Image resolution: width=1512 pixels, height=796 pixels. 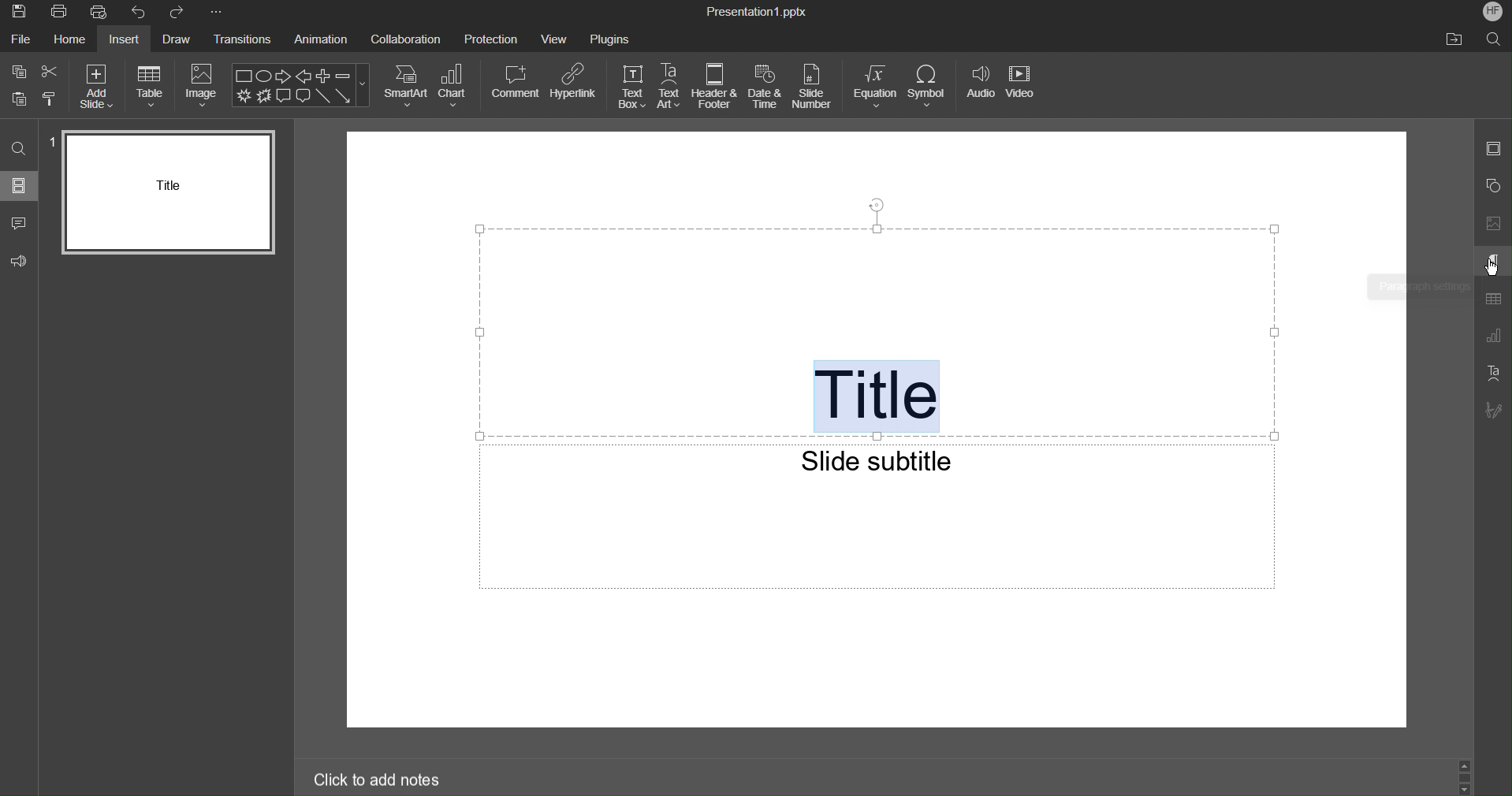 What do you see at coordinates (20, 73) in the screenshot?
I see `Copy` at bounding box center [20, 73].